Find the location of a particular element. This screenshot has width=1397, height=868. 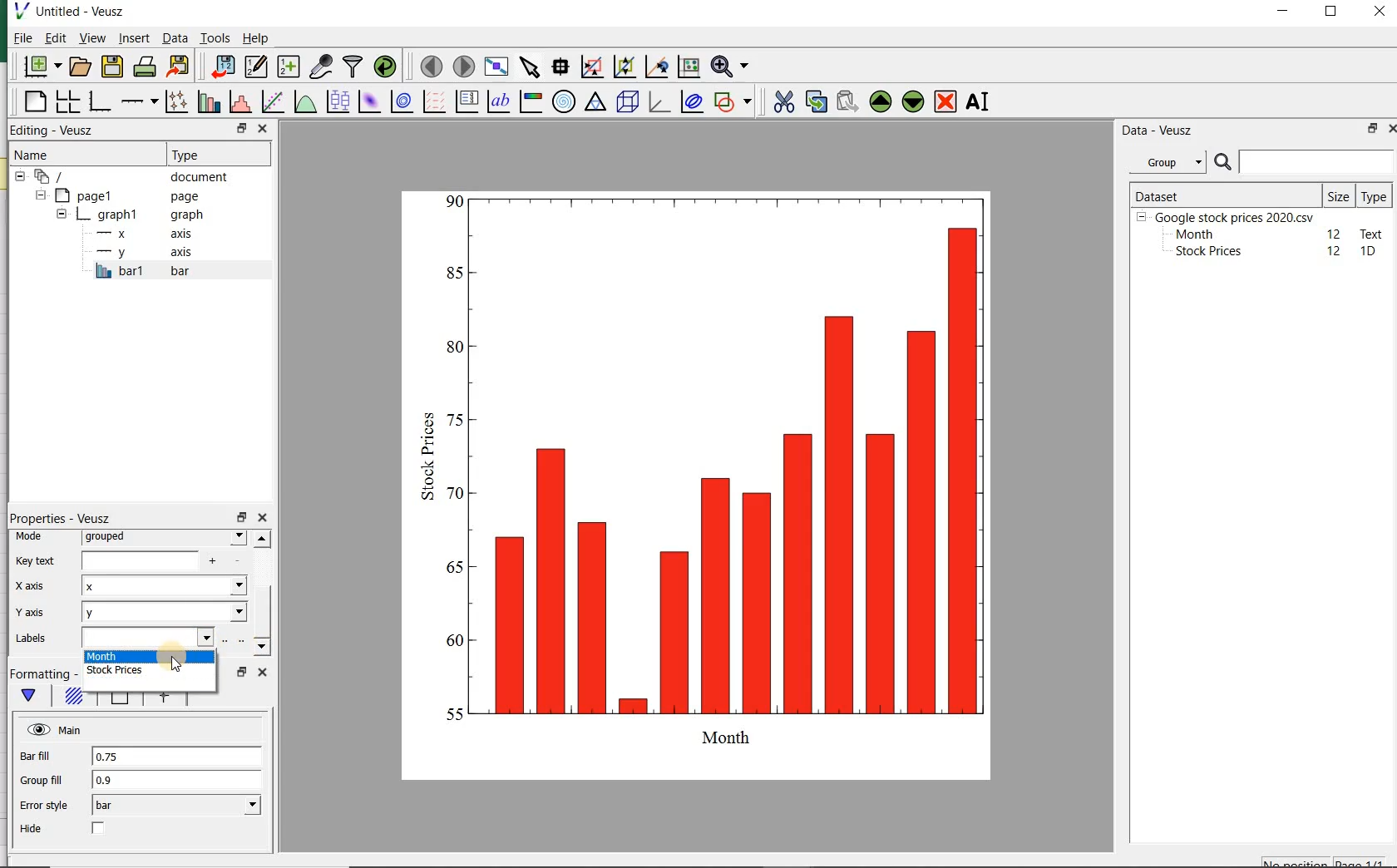

plot a 2d dataset as contours is located at coordinates (399, 103).